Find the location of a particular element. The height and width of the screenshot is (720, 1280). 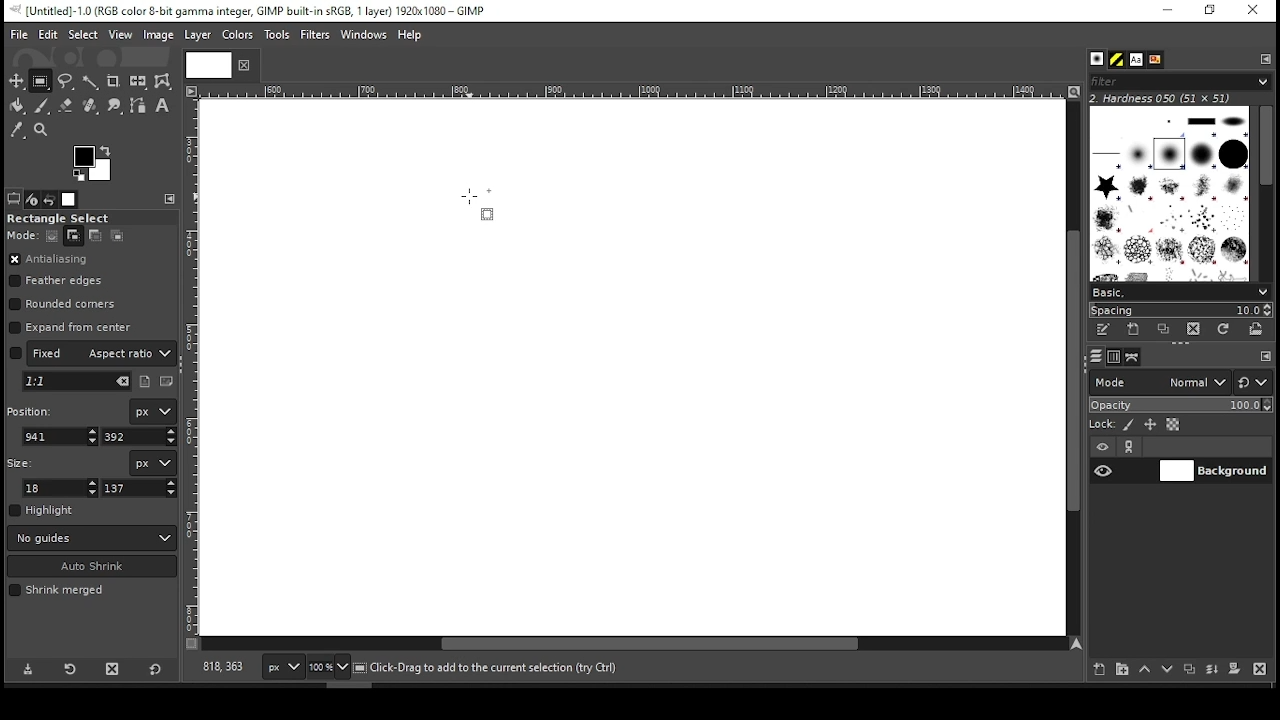

rectangular selection tool is located at coordinates (43, 81).